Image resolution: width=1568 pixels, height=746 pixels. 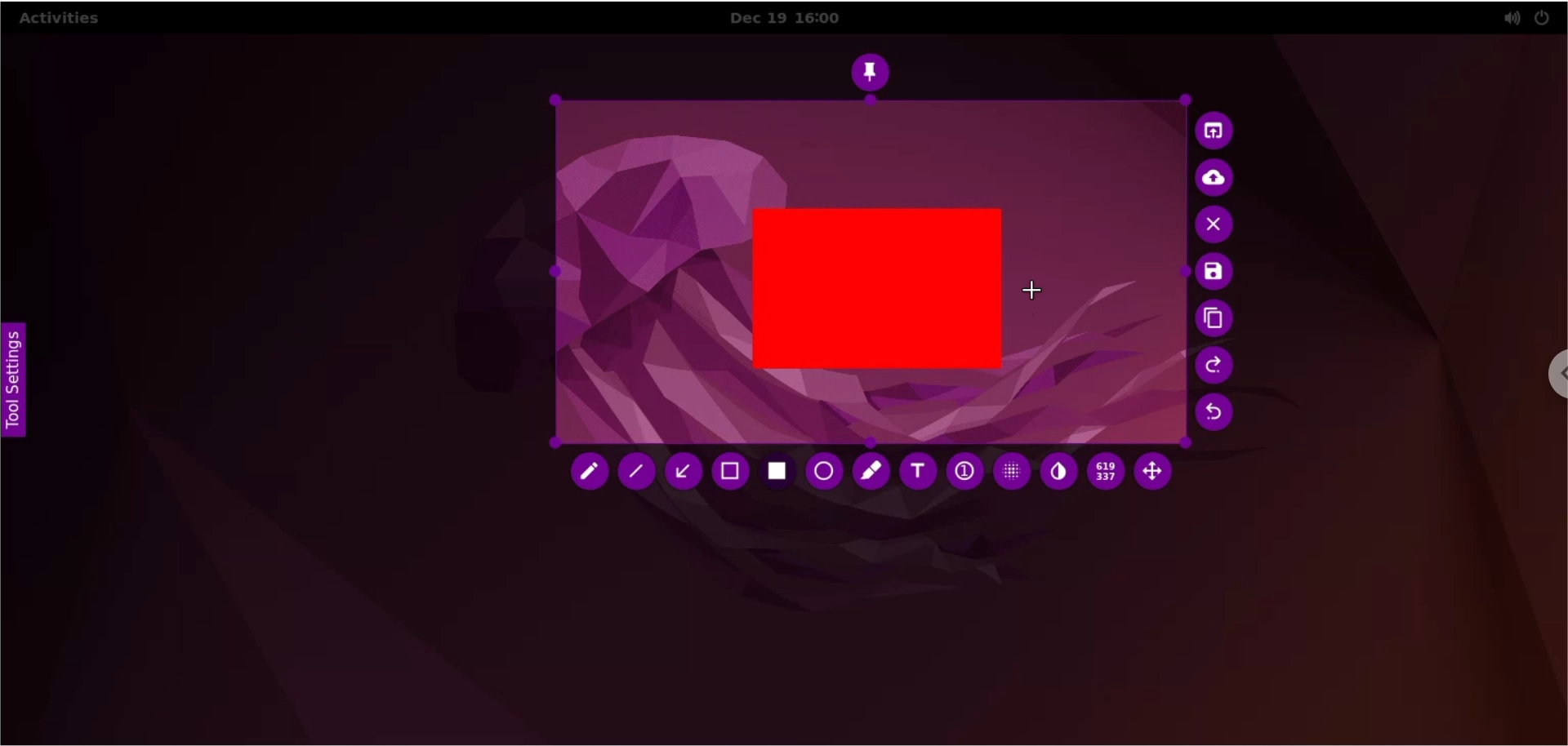 I want to click on rectangle tool, so click(x=777, y=473).